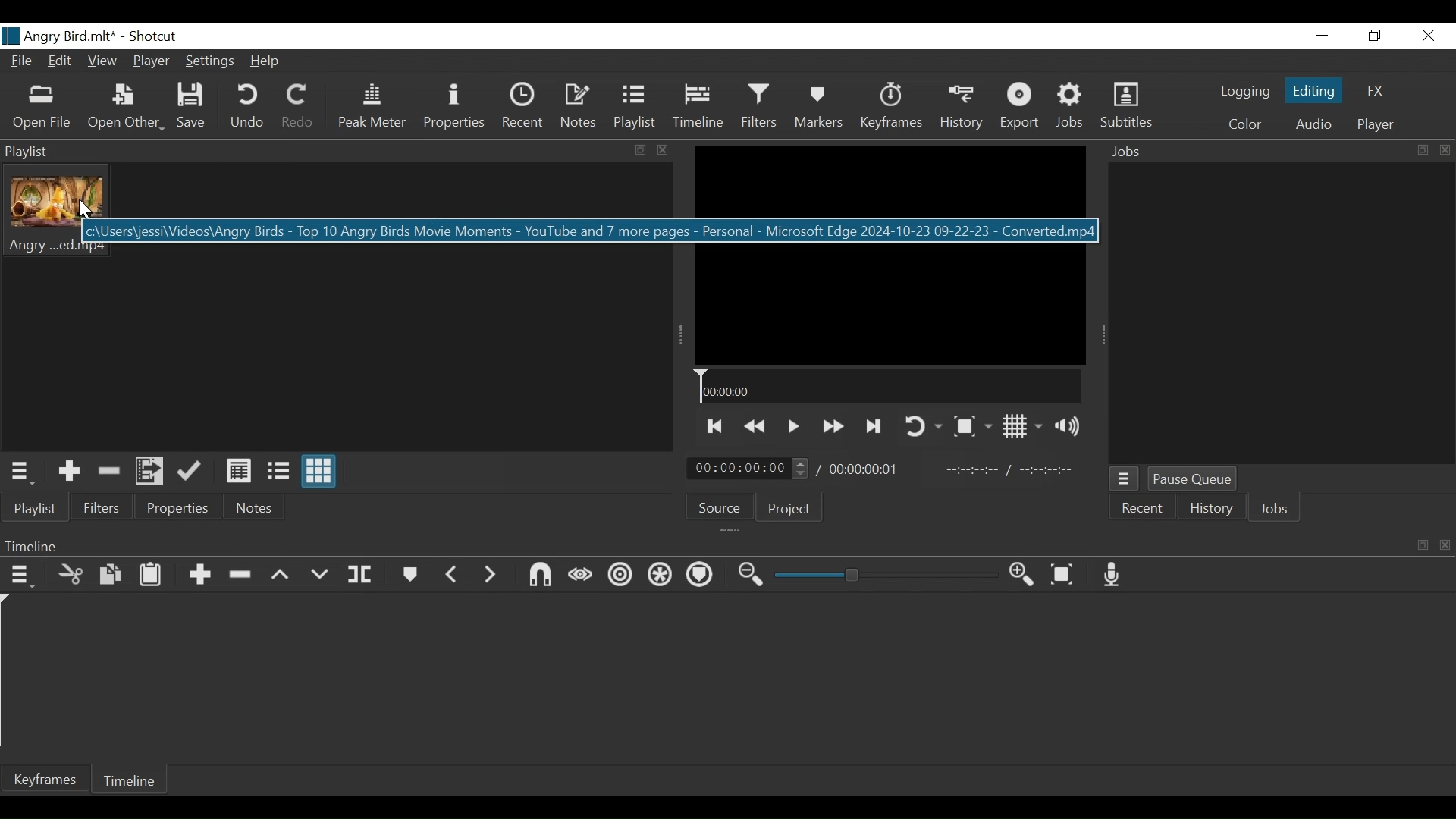  I want to click on Ripple Delete, so click(239, 575).